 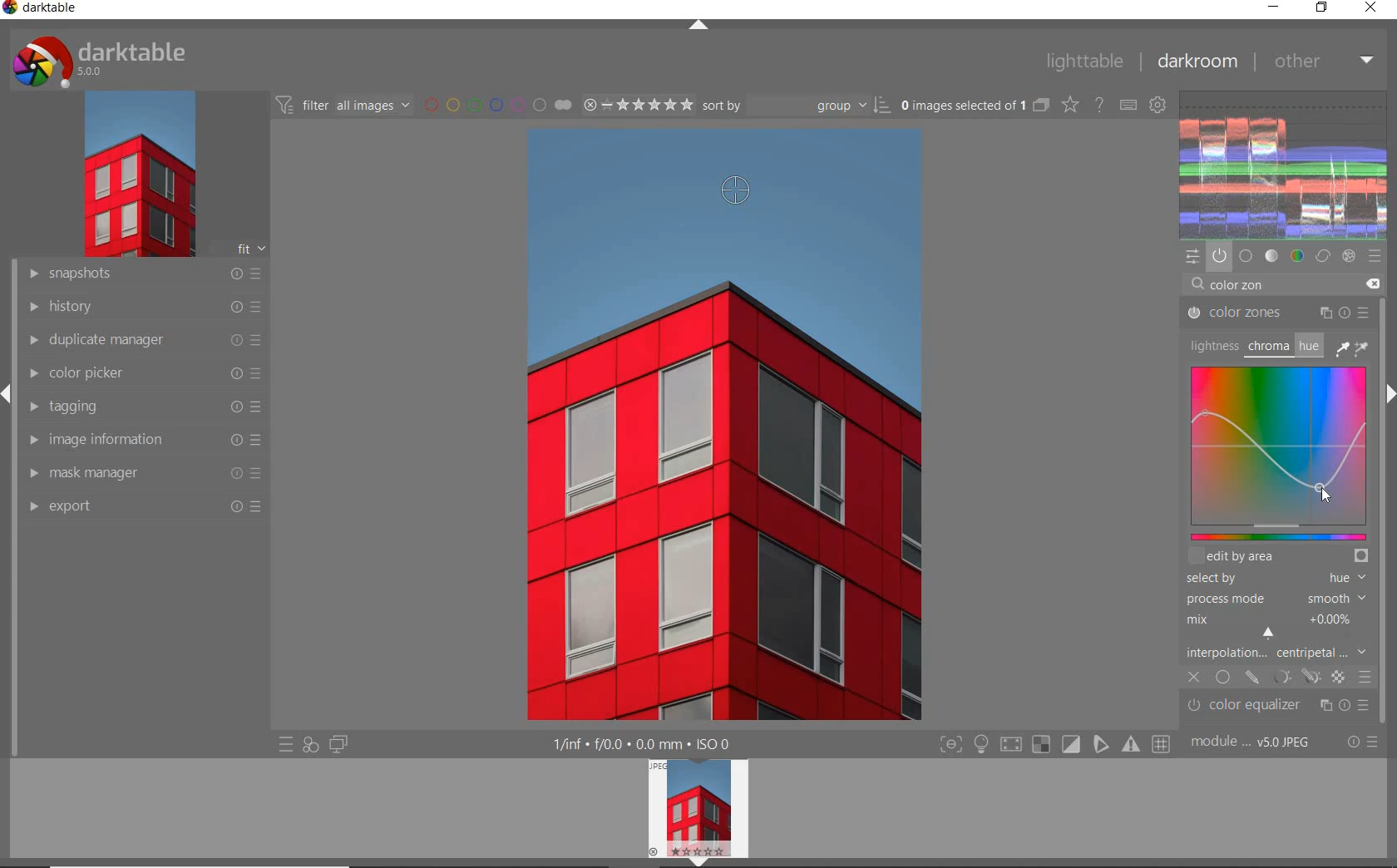 What do you see at coordinates (142, 472) in the screenshot?
I see `mask manager` at bounding box center [142, 472].